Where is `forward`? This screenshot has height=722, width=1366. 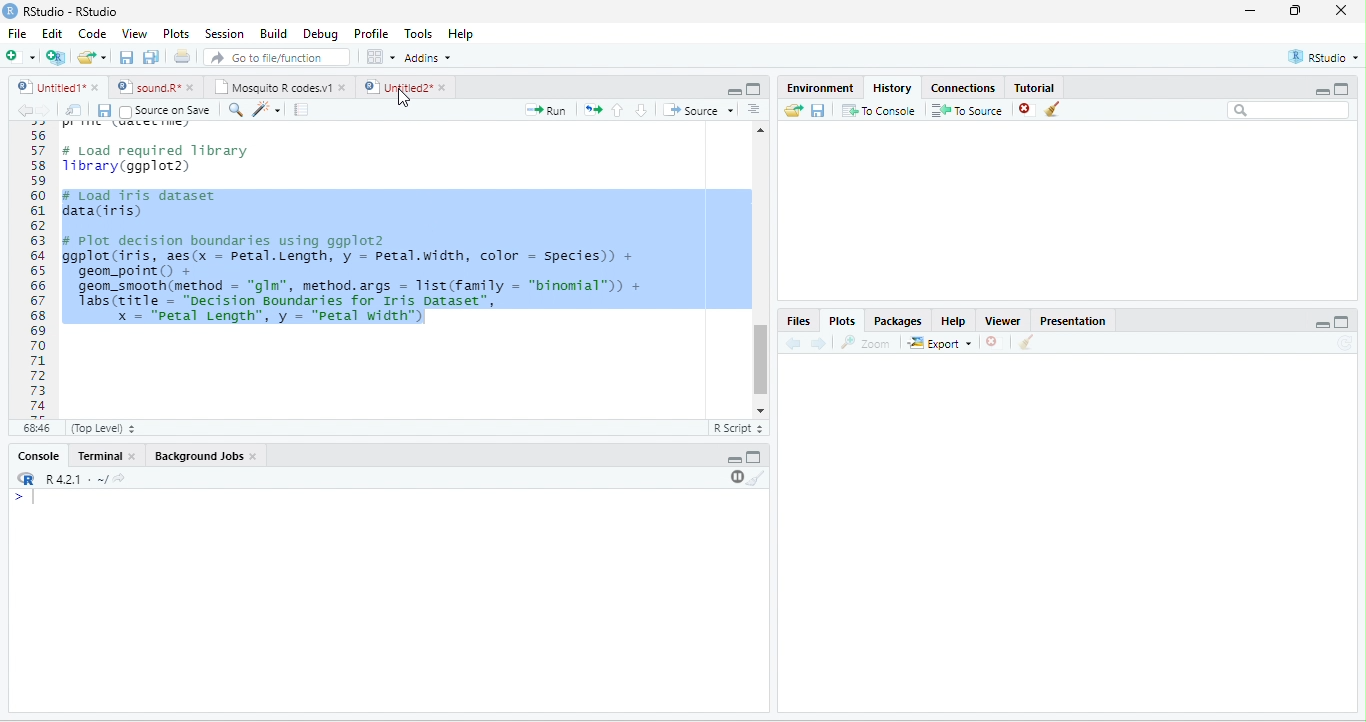
forward is located at coordinates (46, 111).